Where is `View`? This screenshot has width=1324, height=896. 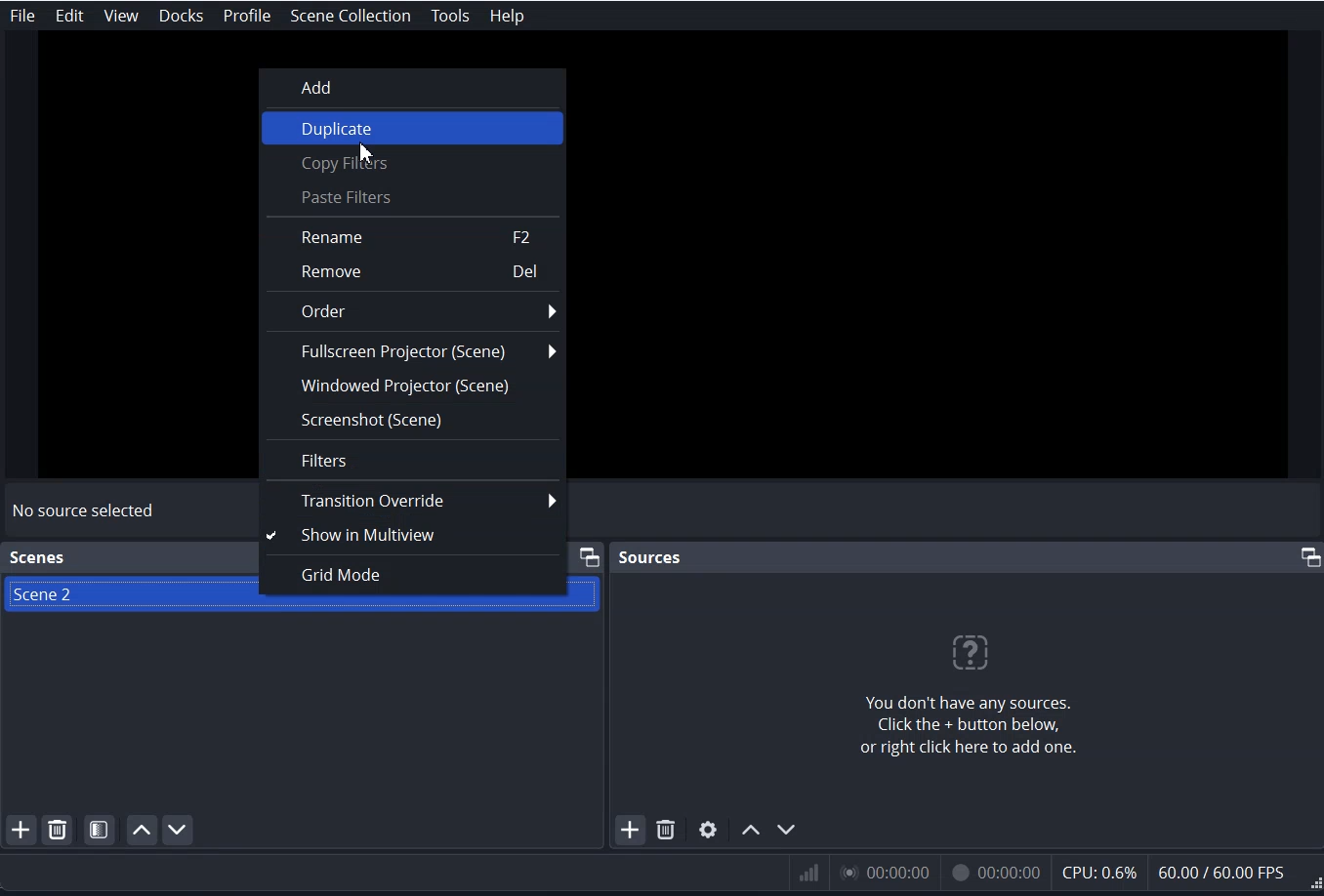
View is located at coordinates (120, 16).